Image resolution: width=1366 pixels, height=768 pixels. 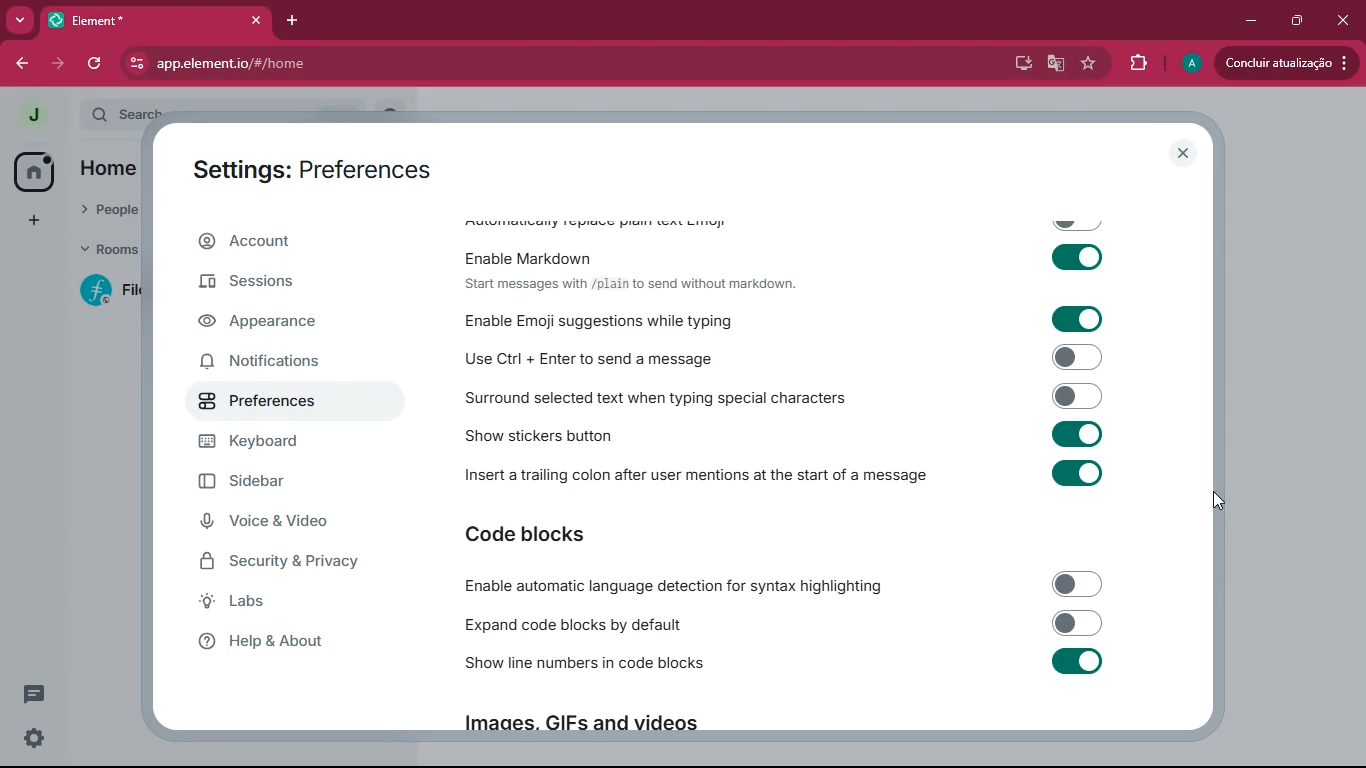 I want to click on profile, so click(x=1191, y=64).